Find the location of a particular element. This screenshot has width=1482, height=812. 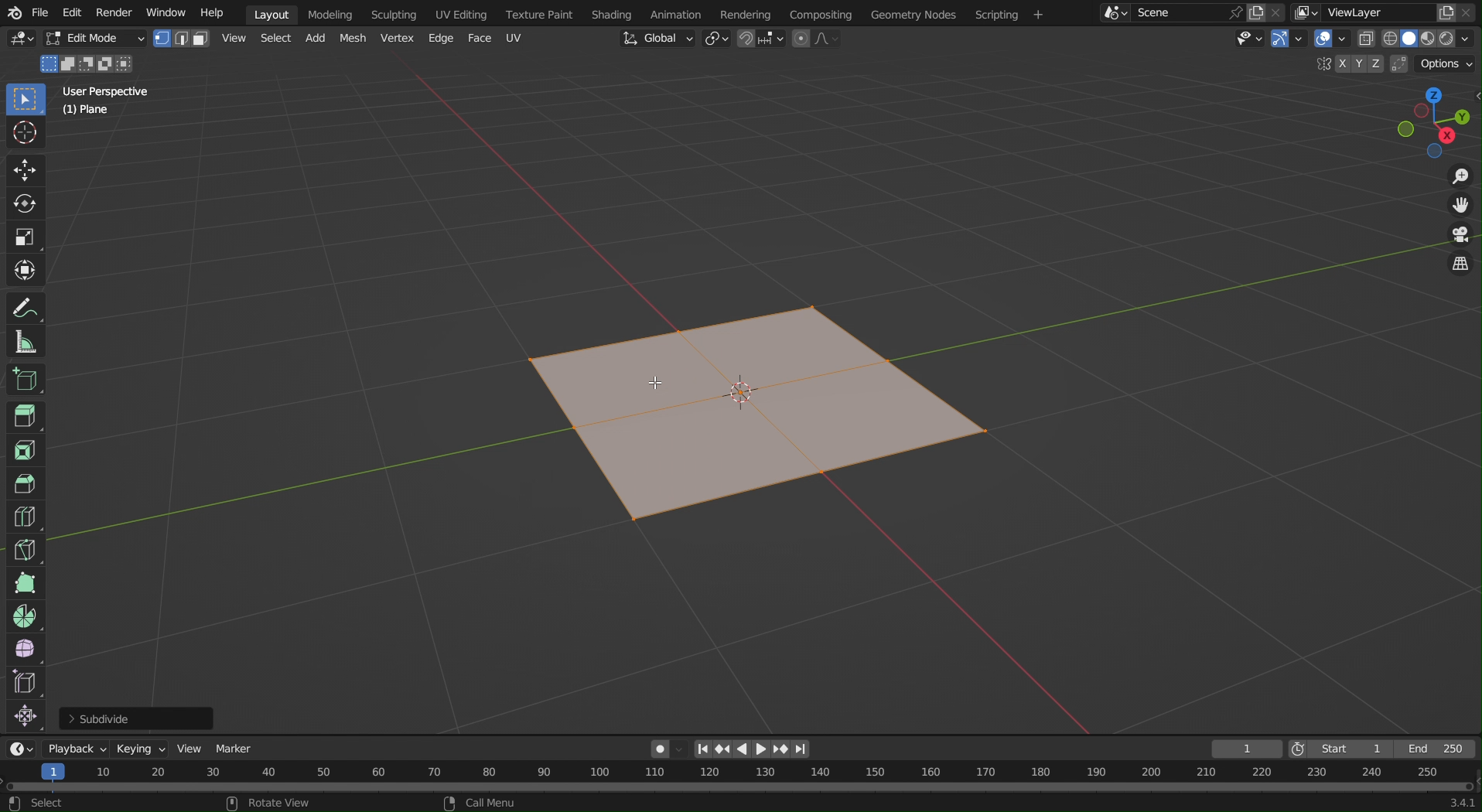

Rotate is located at coordinates (27, 203).